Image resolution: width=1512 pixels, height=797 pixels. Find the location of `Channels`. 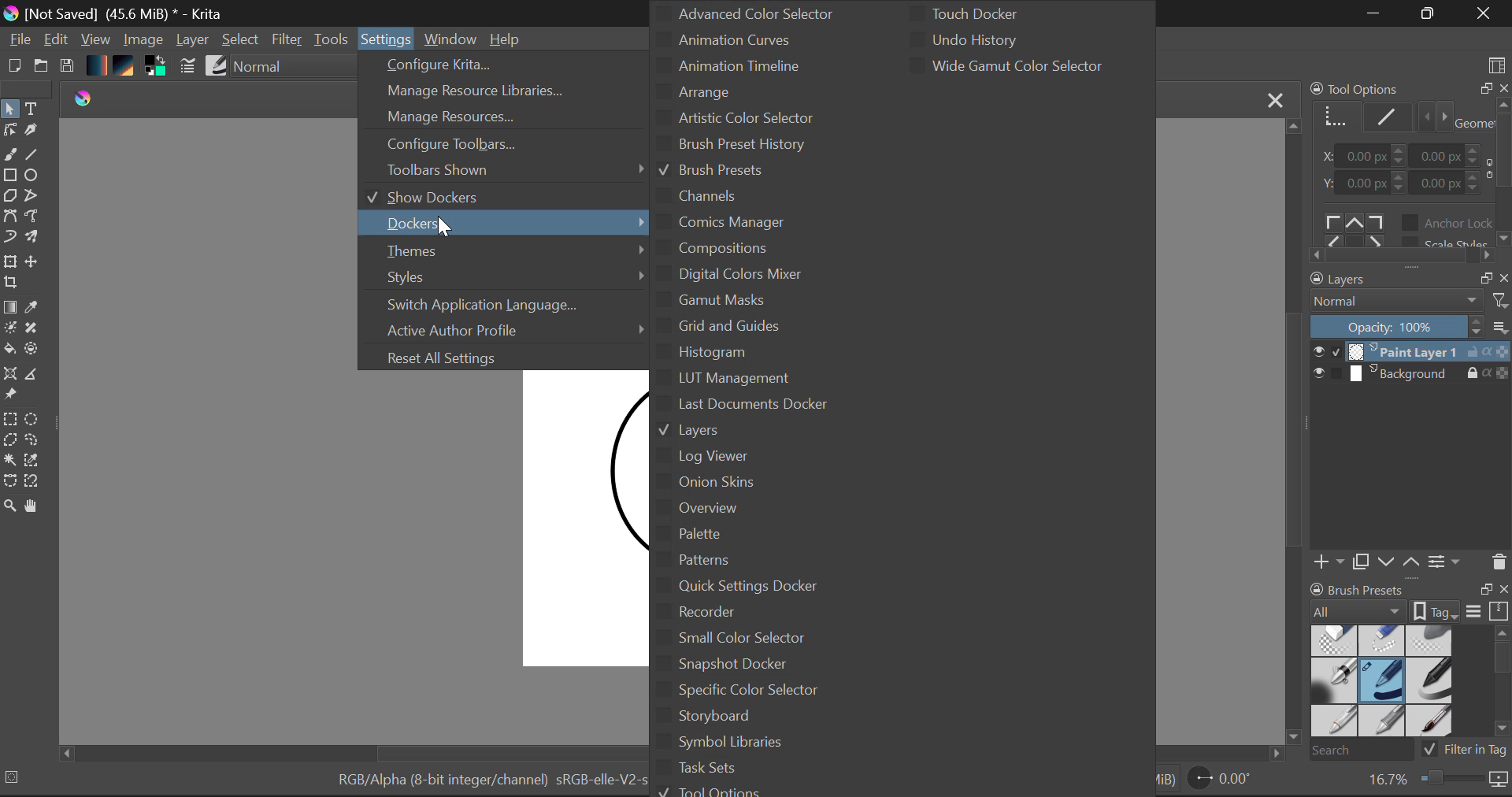

Channels is located at coordinates (704, 196).